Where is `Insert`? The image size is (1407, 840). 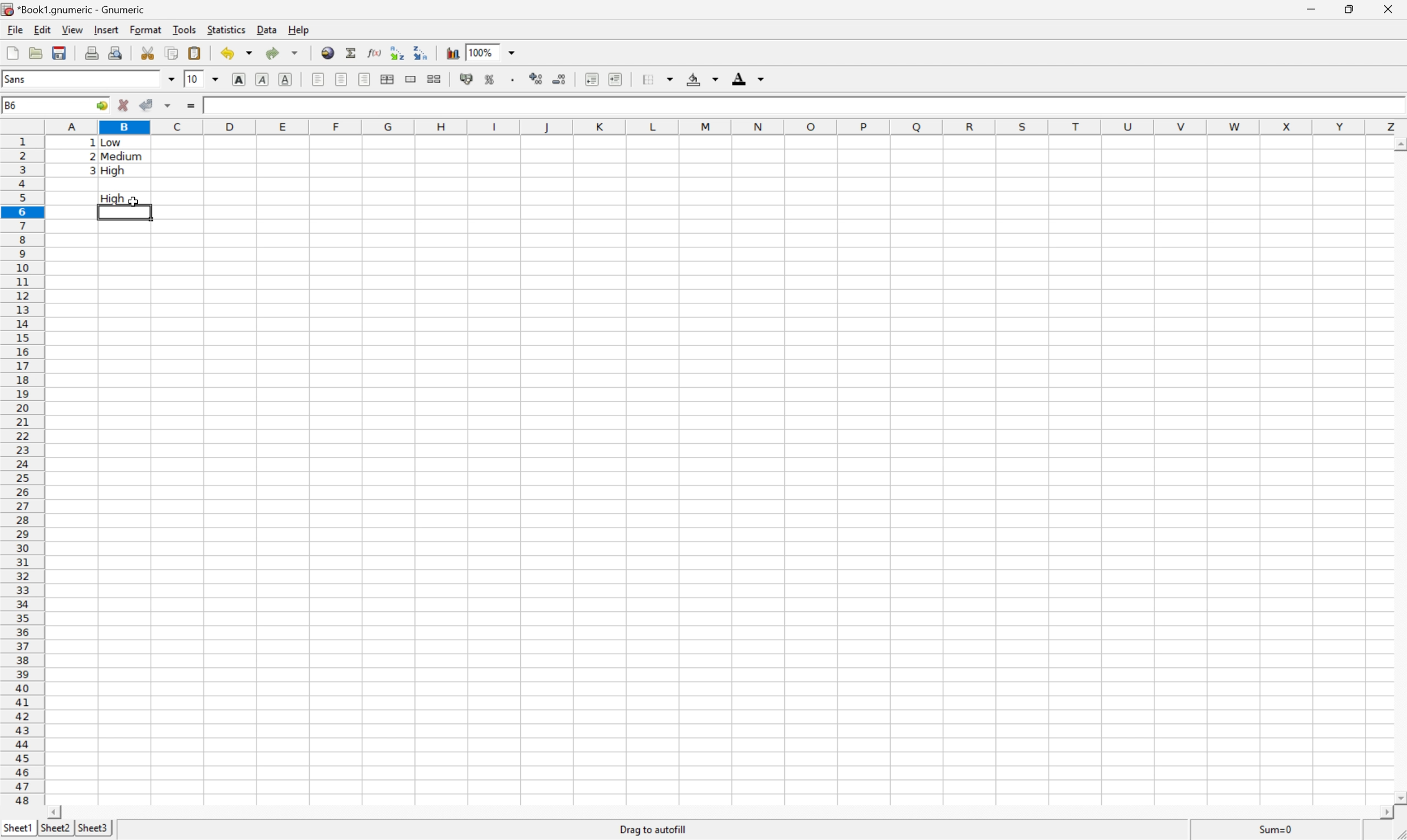 Insert is located at coordinates (106, 28).